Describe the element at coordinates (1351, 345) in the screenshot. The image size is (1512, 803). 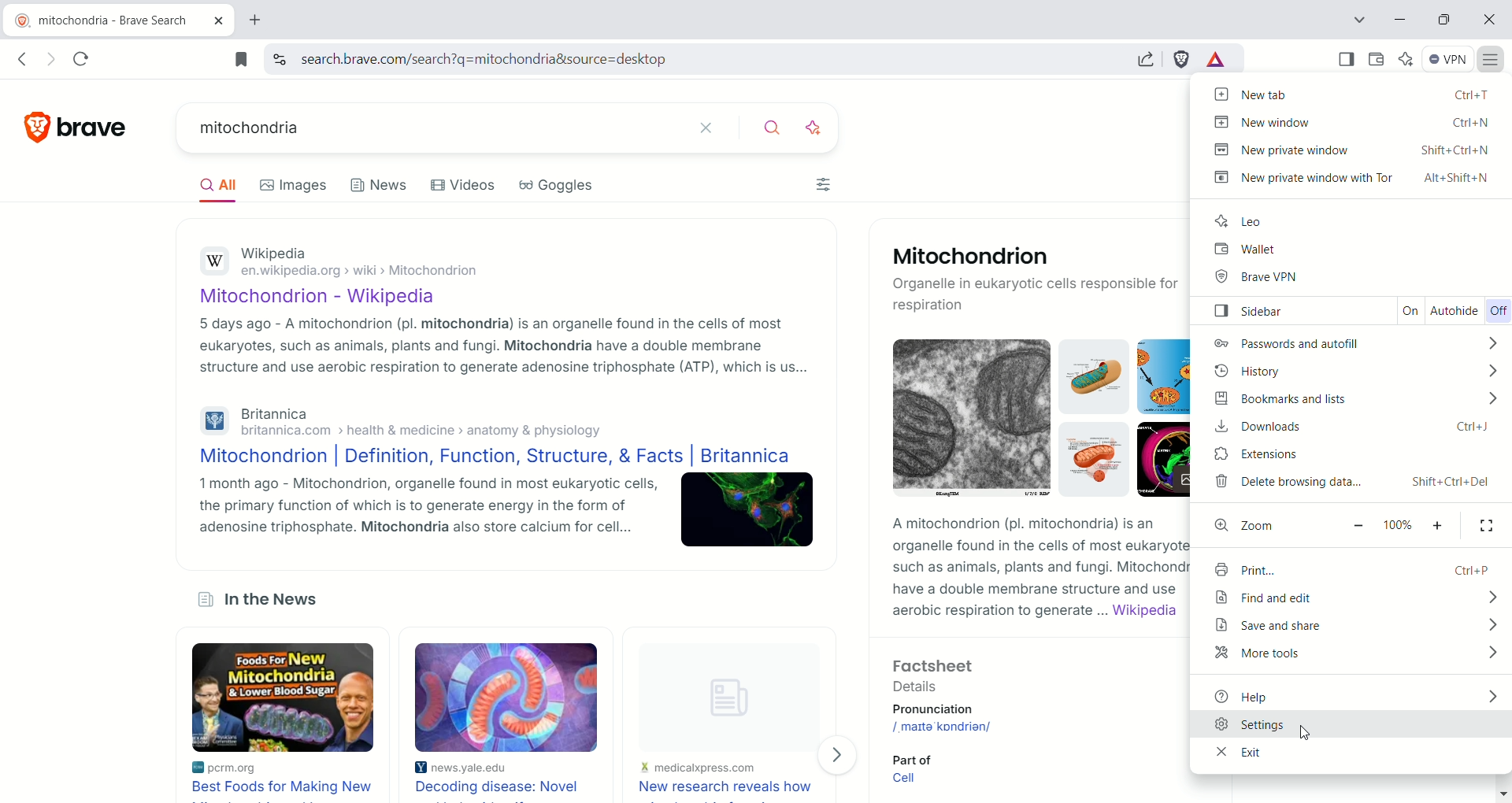
I see `passwords and auto fill` at that location.